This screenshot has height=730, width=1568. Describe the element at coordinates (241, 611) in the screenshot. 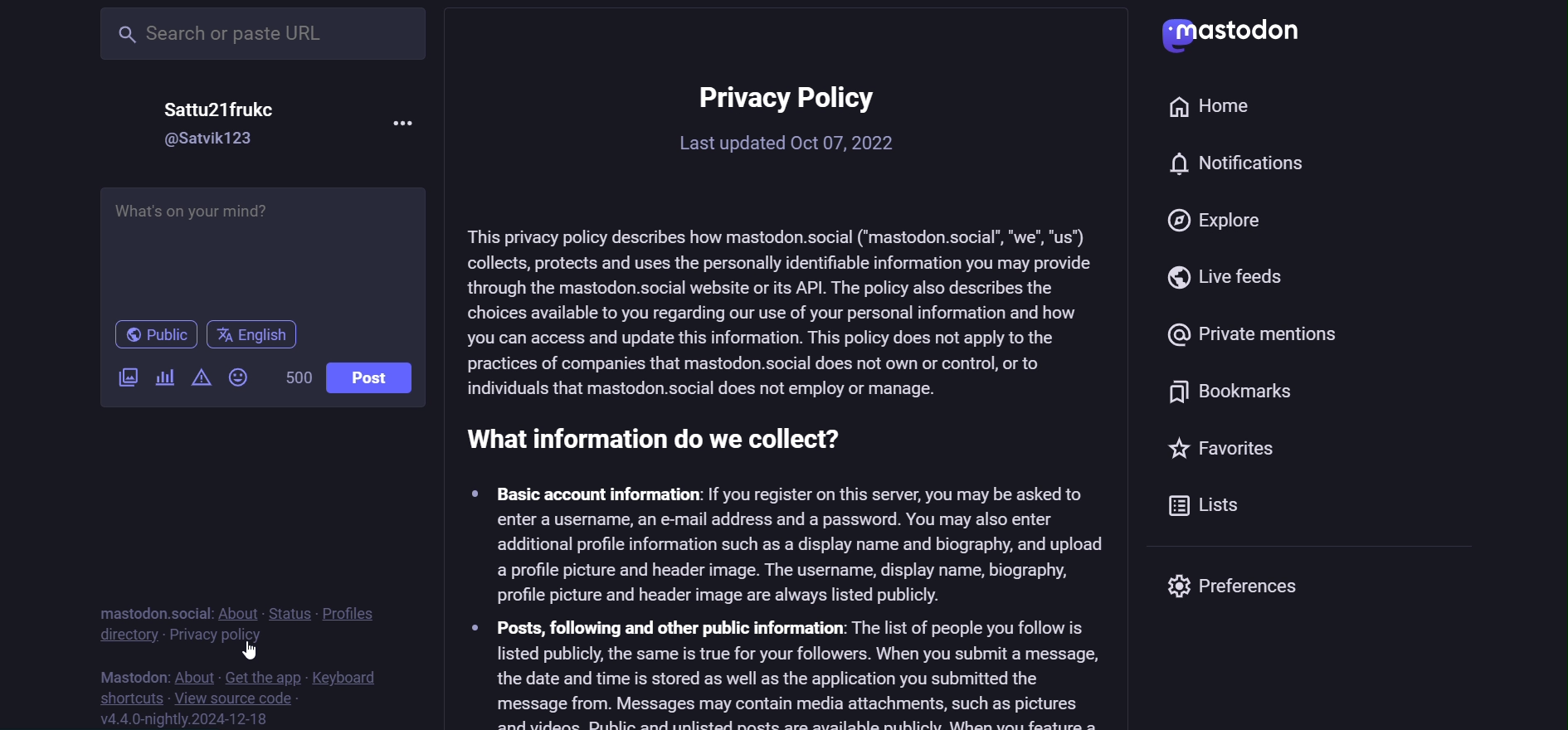

I see `about` at that location.